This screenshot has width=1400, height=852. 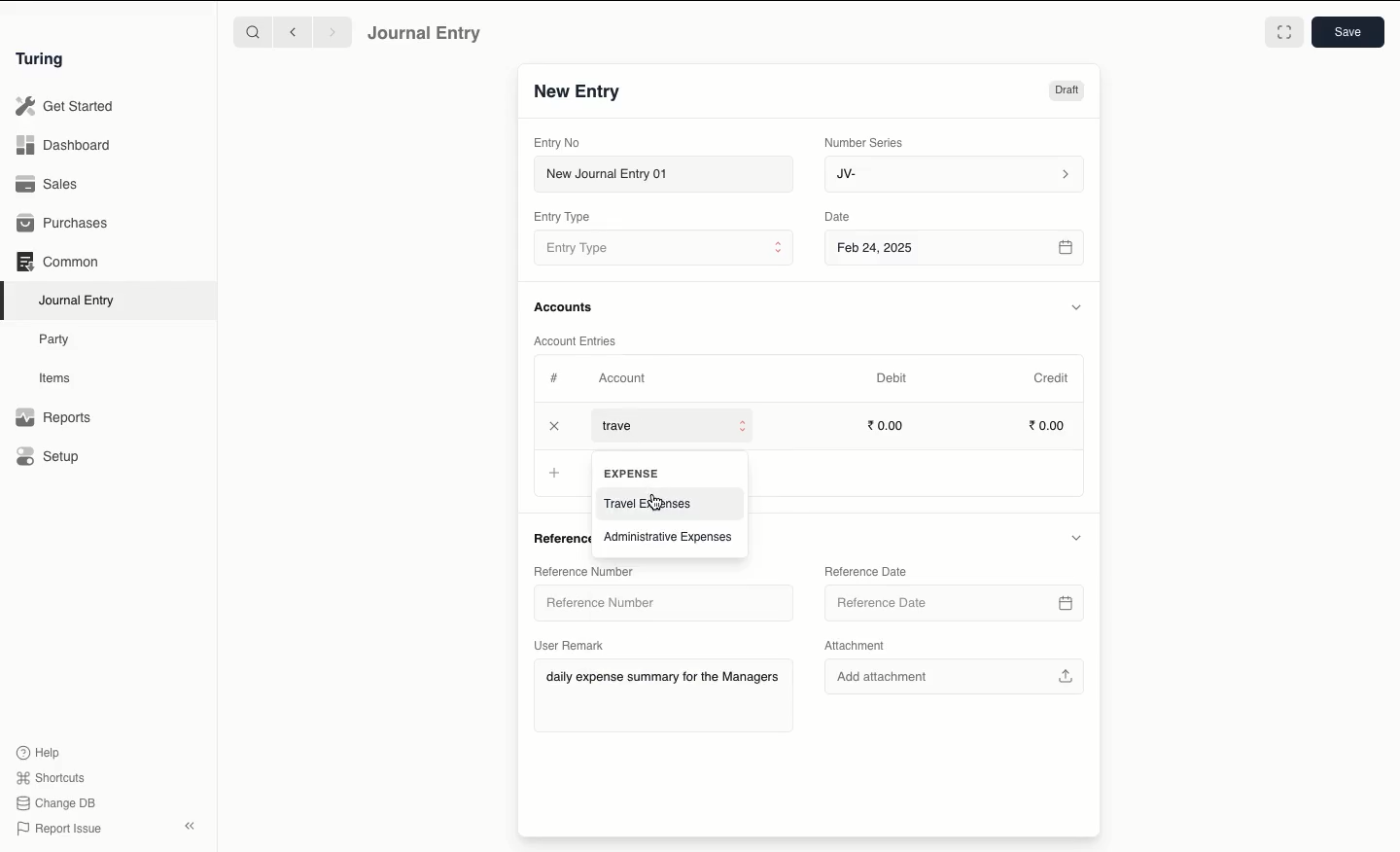 I want to click on Feb 24, 2025, so click(x=957, y=250).